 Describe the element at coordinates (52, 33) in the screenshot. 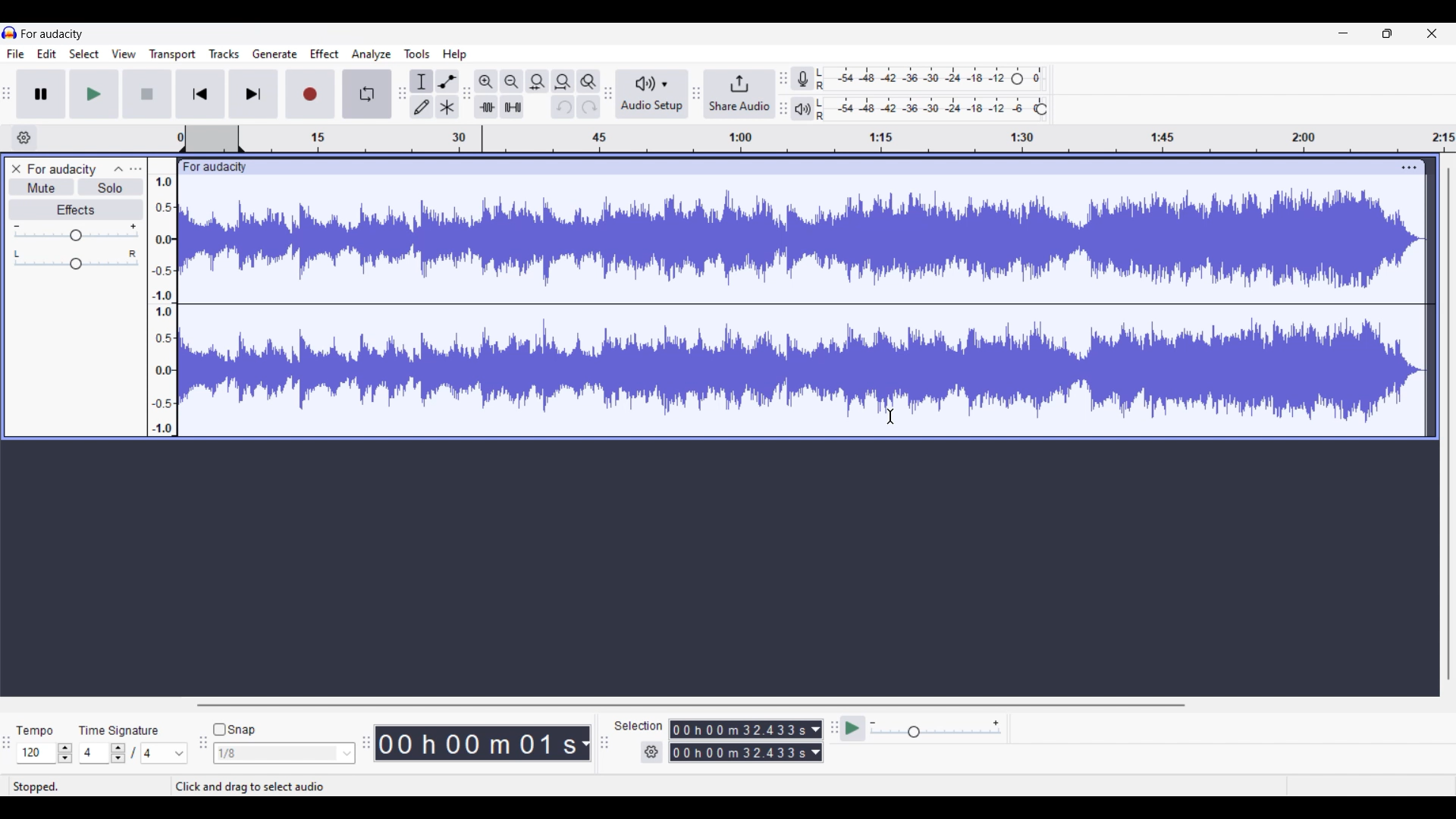

I see `Project name` at that location.